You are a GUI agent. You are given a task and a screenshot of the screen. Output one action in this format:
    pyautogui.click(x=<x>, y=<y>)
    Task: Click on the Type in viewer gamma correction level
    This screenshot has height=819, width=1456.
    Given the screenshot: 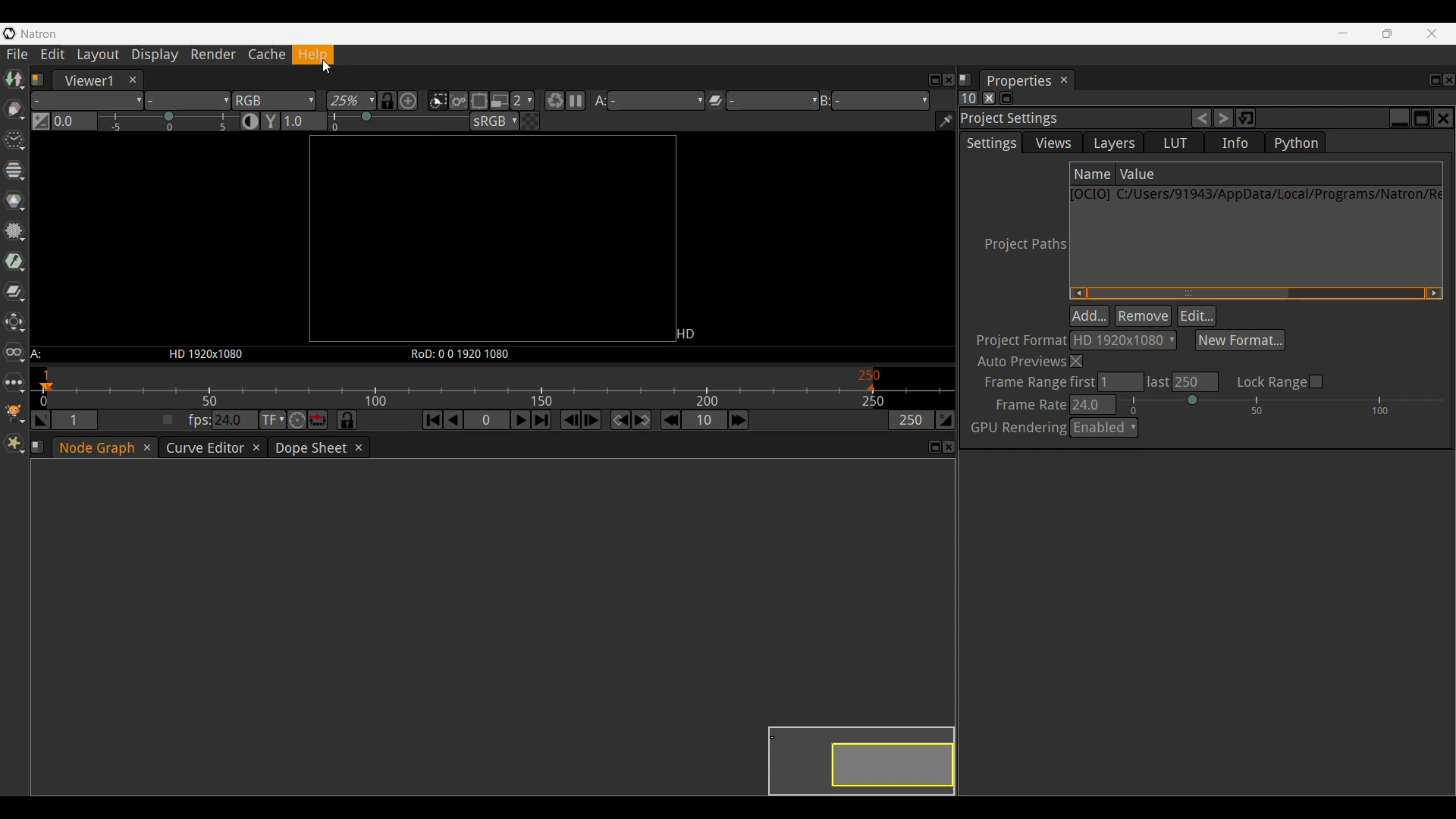 What is the action you would take?
    pyautogui.click(x=304, y=121)
    